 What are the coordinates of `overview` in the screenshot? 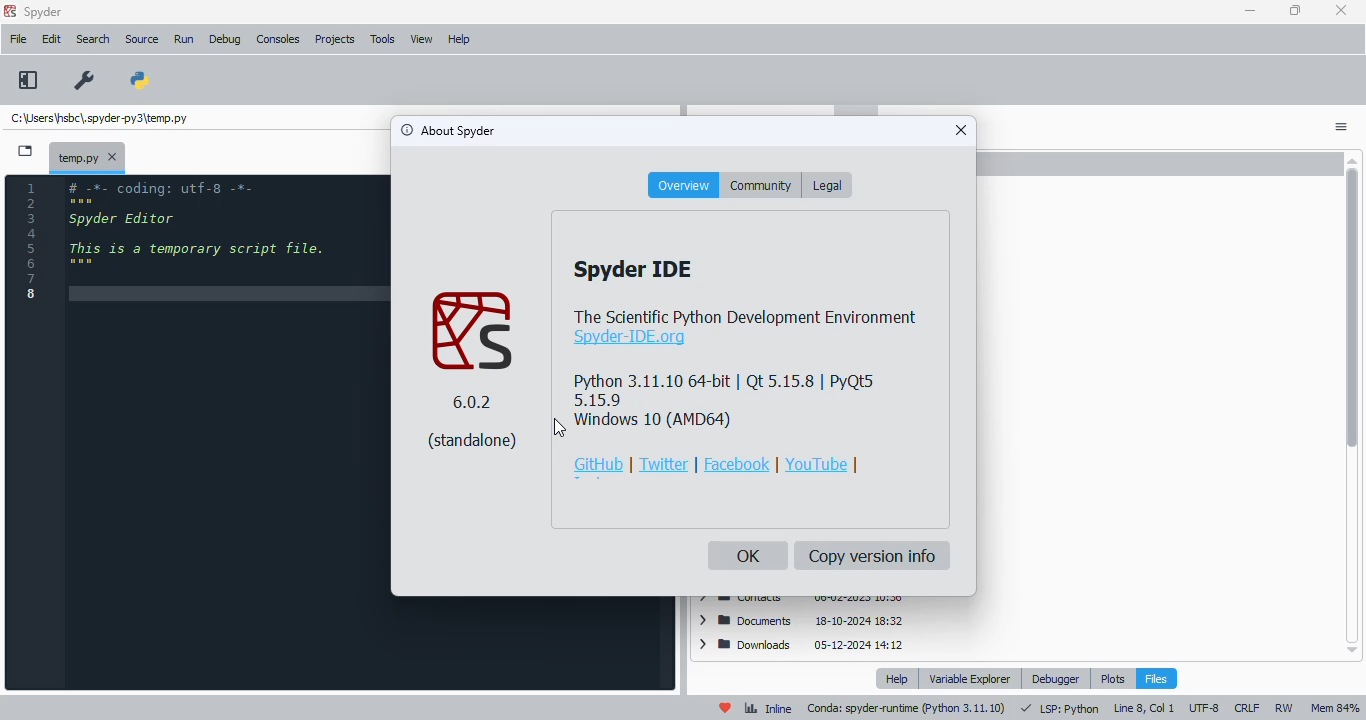 It's located at (683, 185).